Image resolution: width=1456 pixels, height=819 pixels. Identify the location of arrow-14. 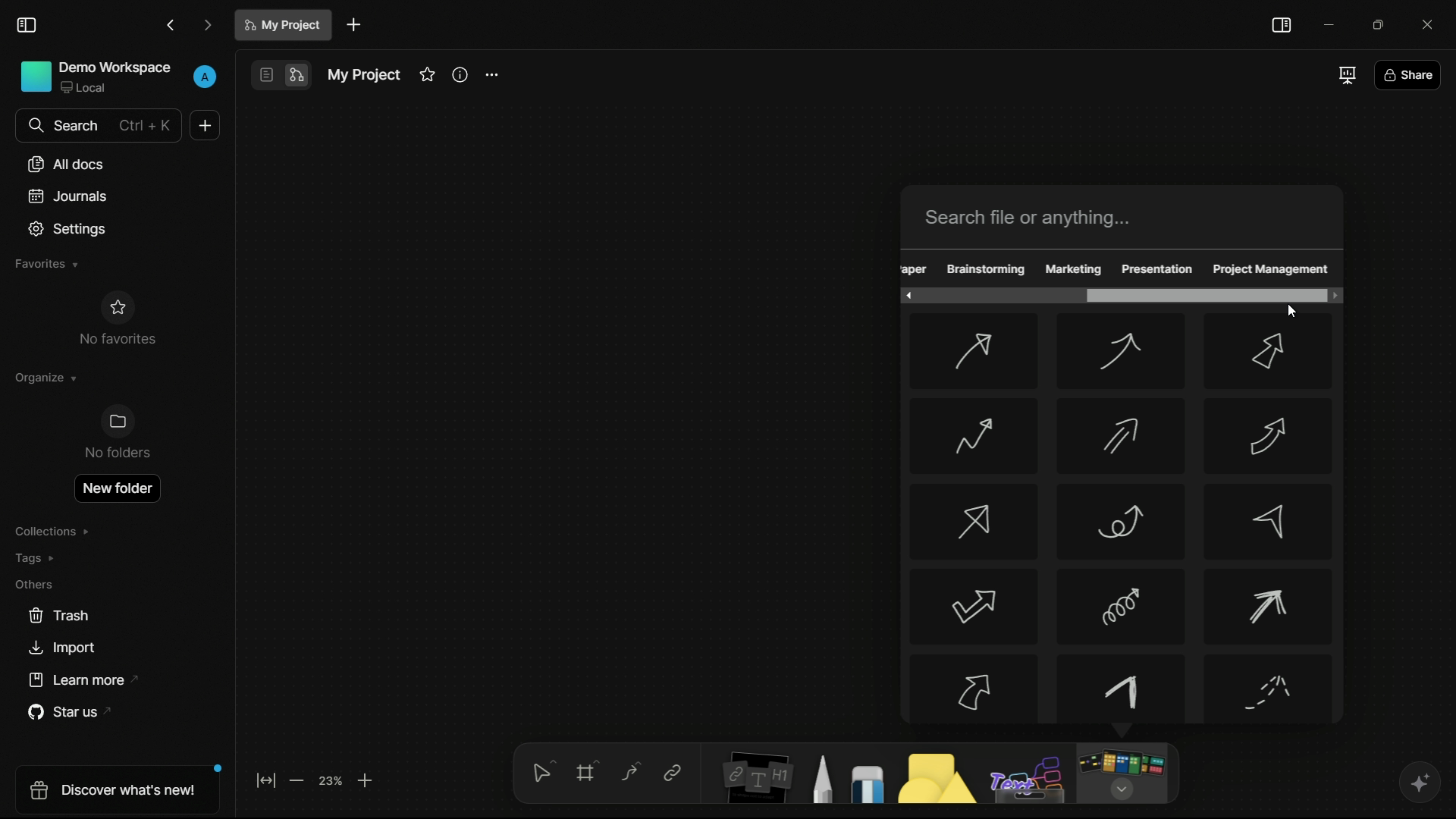
(1122, 689).